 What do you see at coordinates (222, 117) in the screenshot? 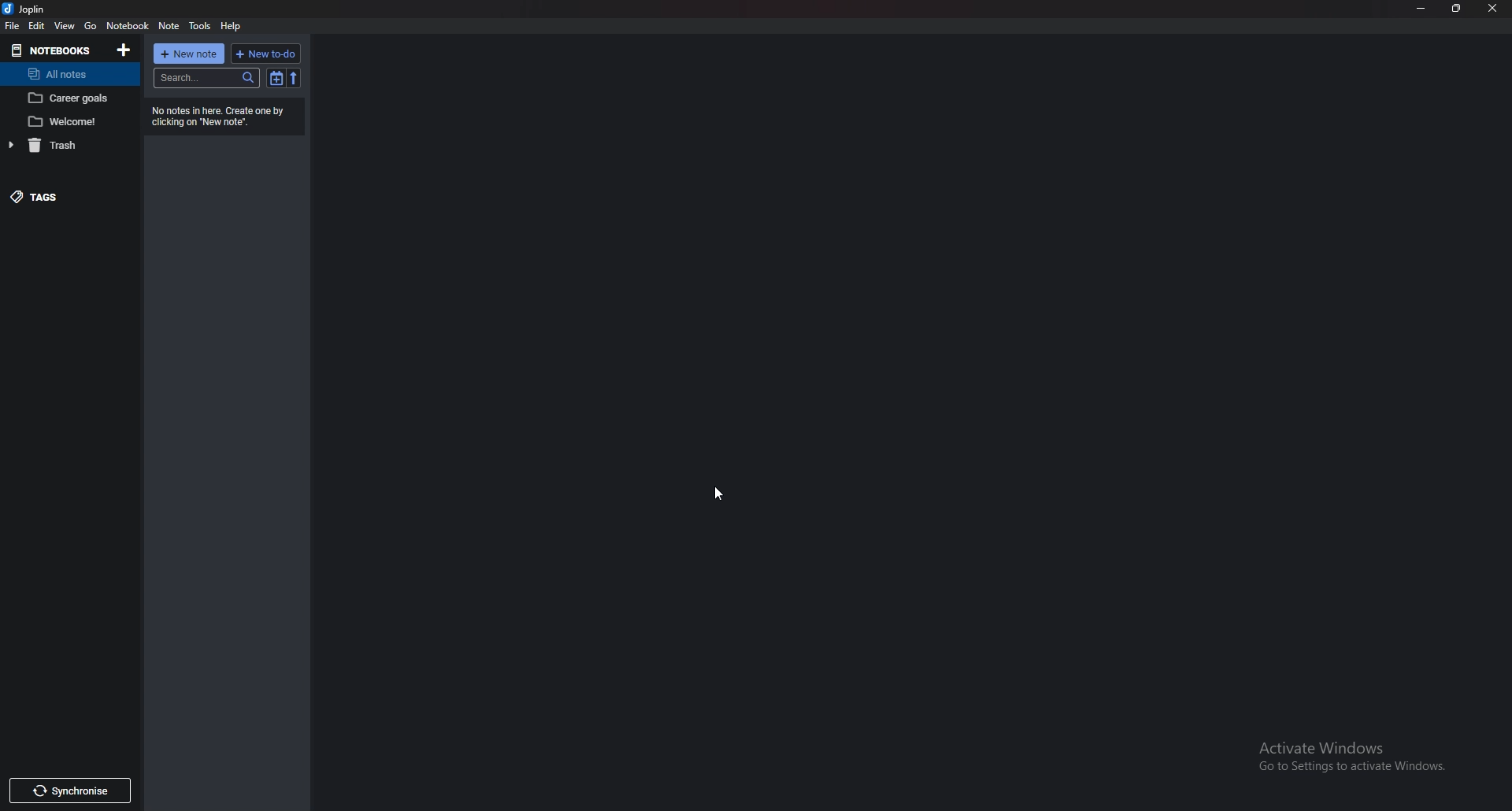
I see `info` at bounding box center [222, 117].